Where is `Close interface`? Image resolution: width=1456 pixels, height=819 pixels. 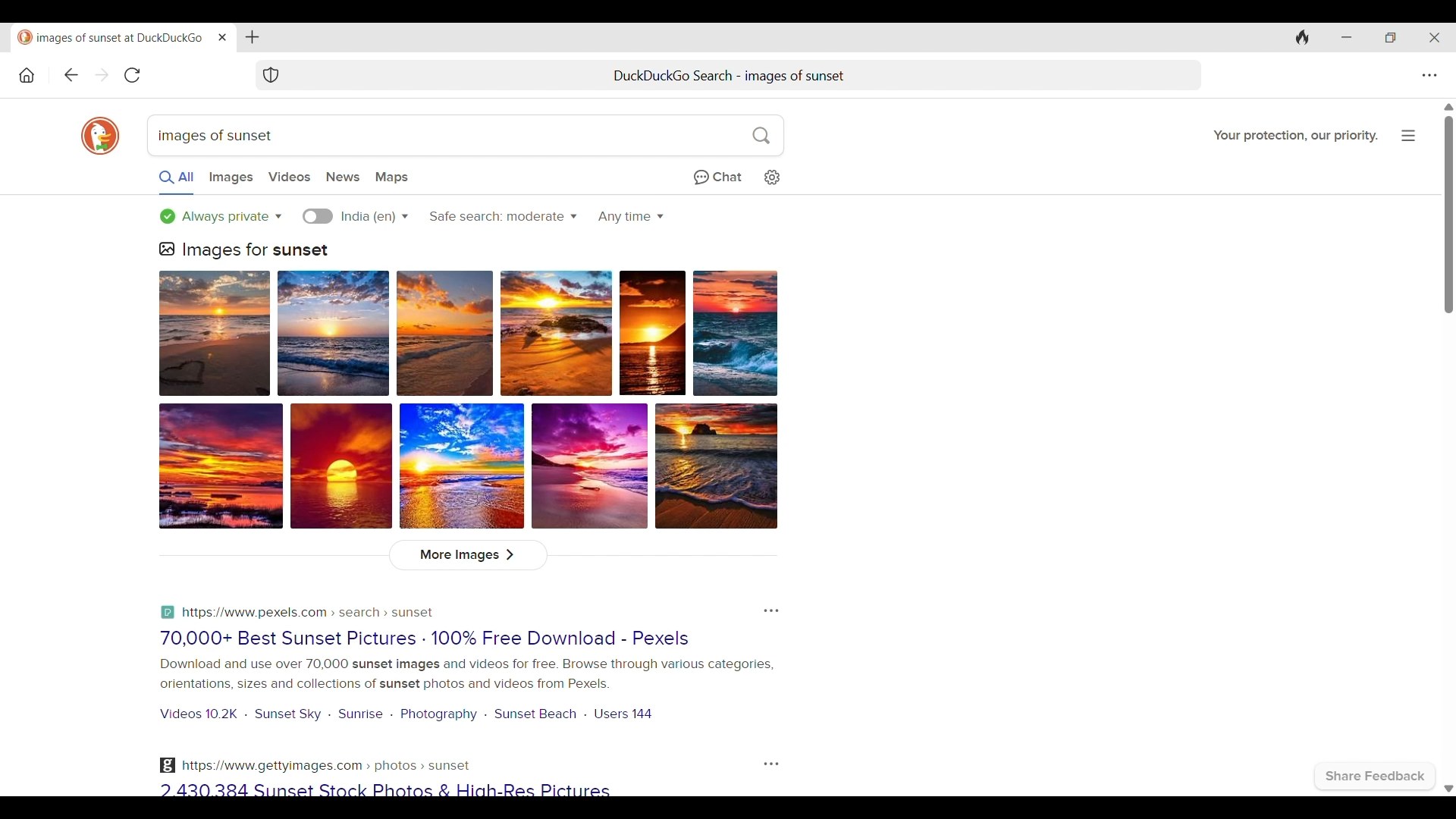
Close interface is located at coordinates (1434, 37).